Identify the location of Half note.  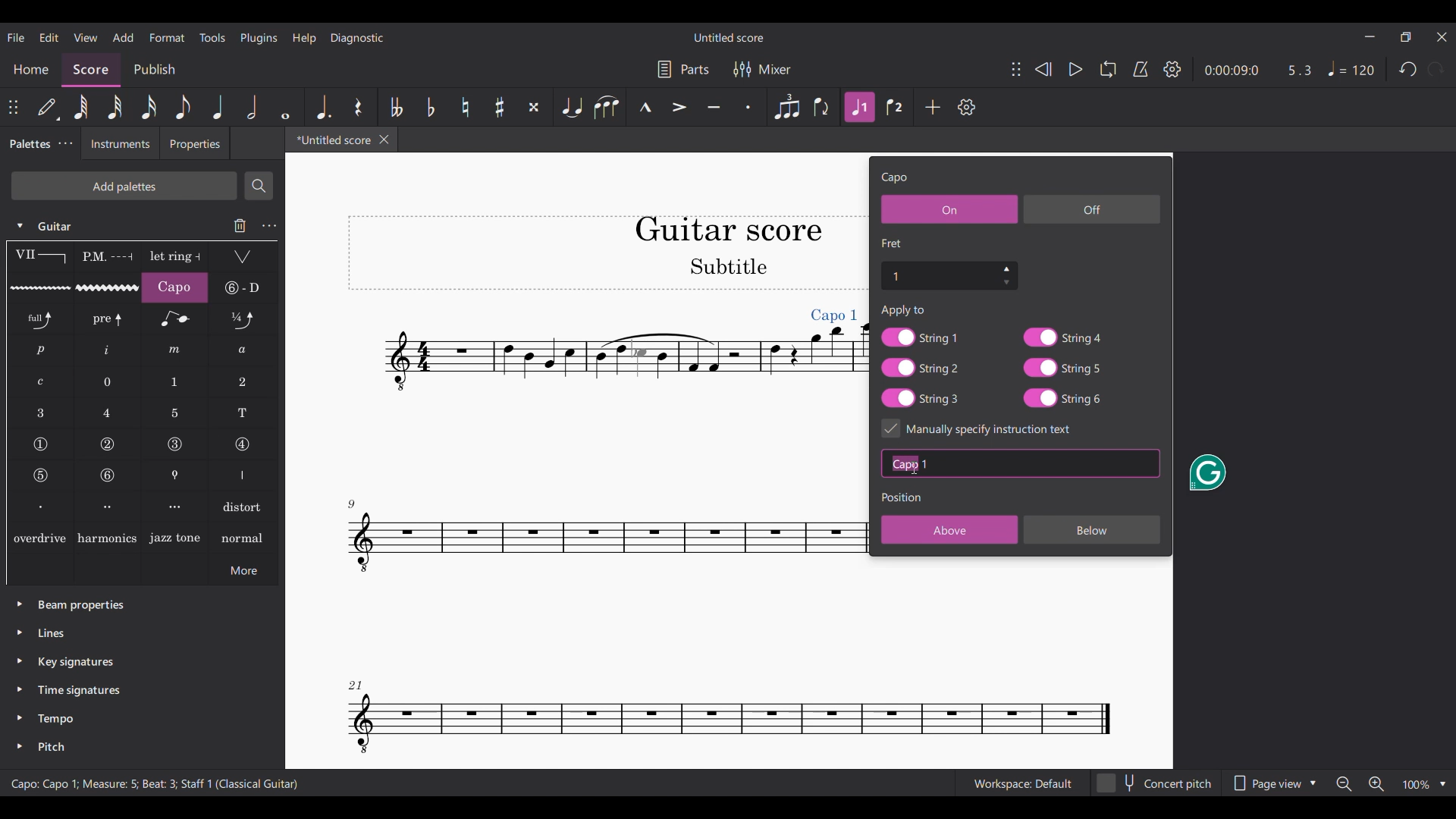
(253, 107).